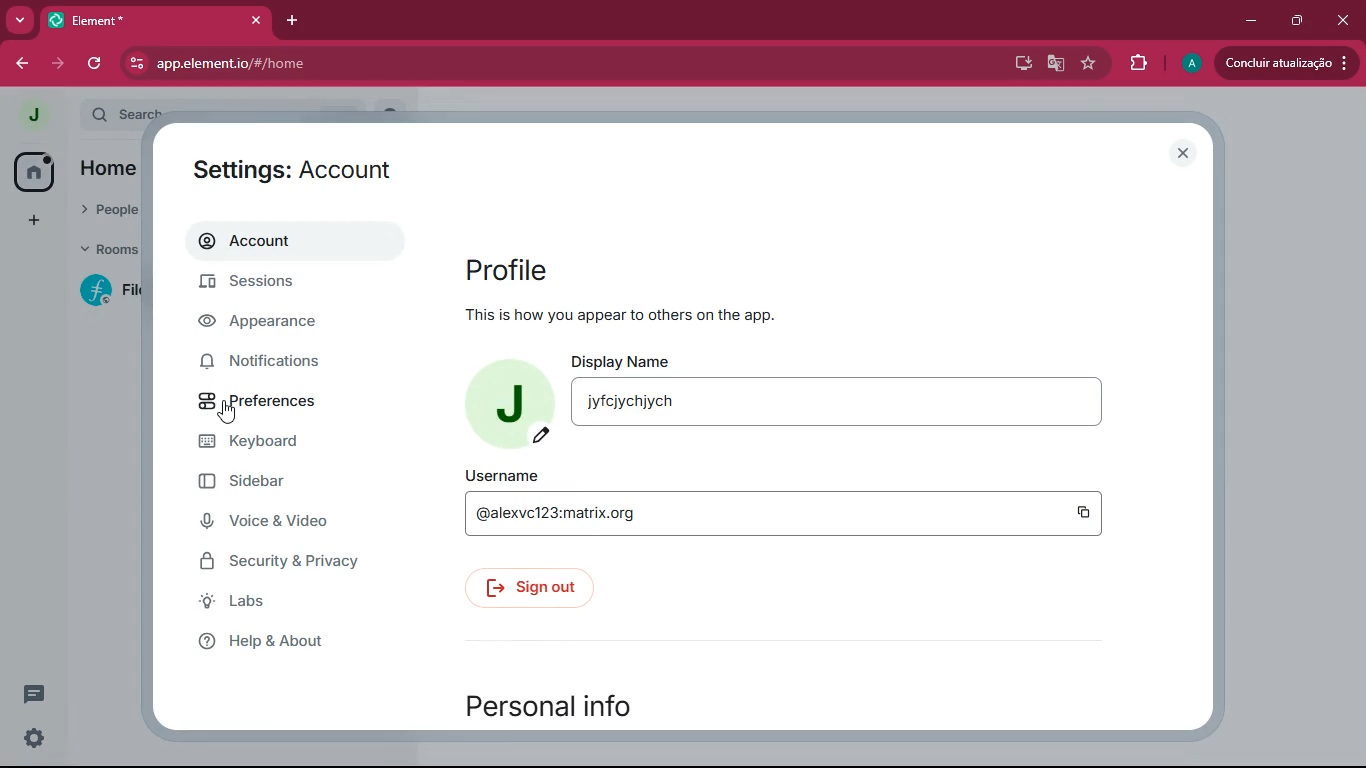 The image size is (1366, 768). I want to click on home, so click(33, 170).